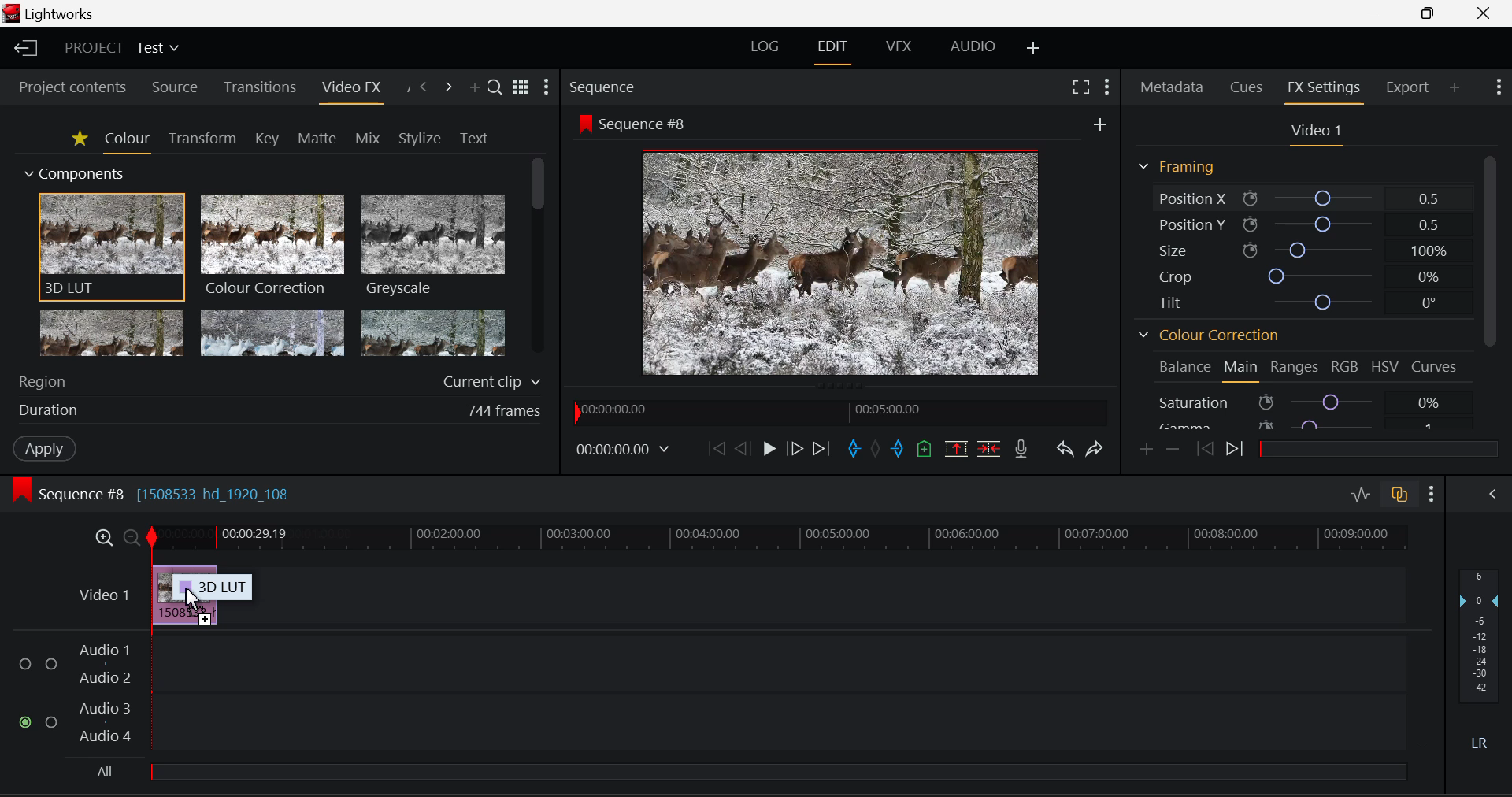 This screenshot has width=1512, height=797. Describe the element at coordinates (72, 89) in the screenshot. I see `Project contents` at that location.